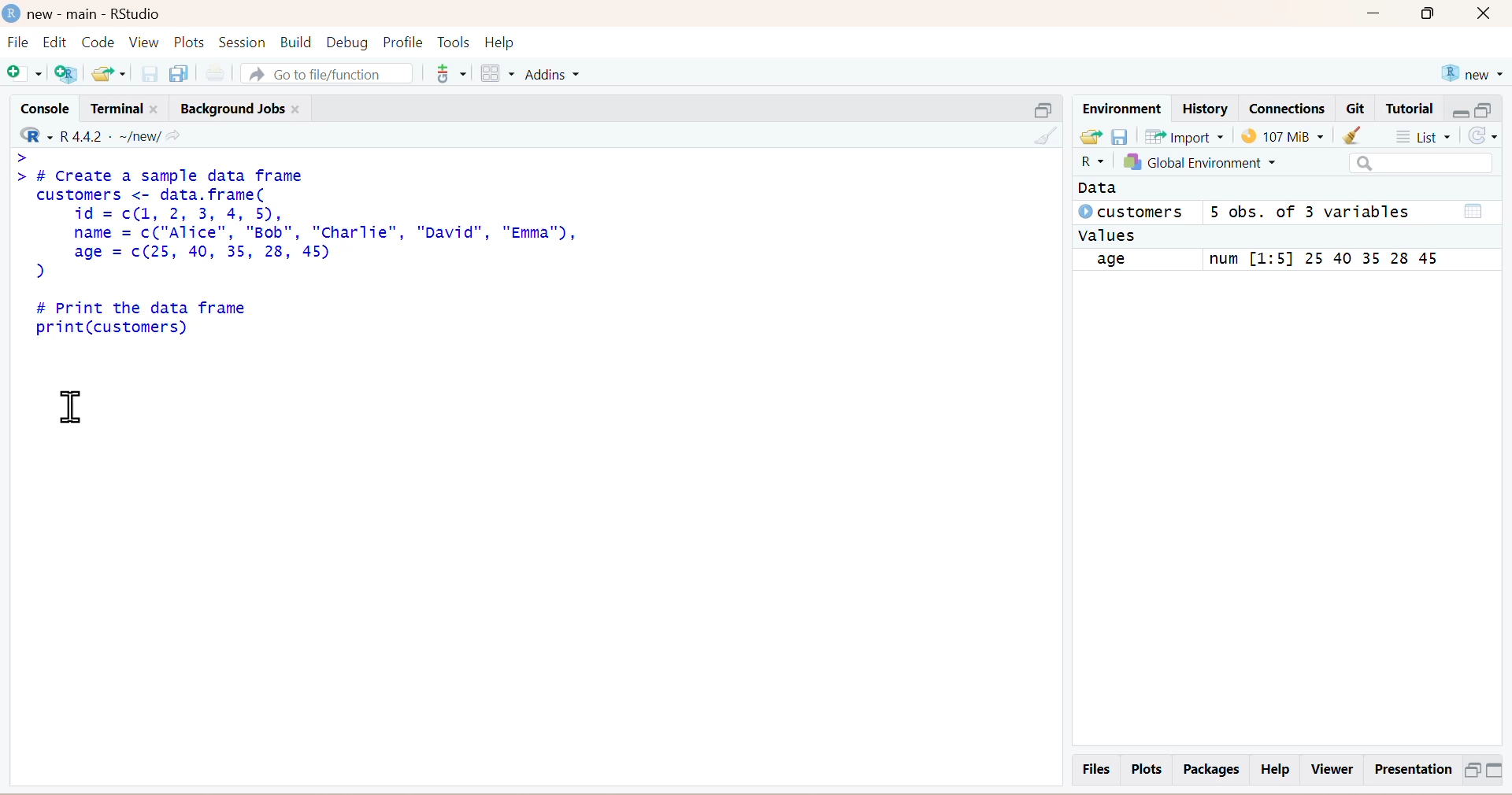  I want to click on Plots, so click(1147, 769).